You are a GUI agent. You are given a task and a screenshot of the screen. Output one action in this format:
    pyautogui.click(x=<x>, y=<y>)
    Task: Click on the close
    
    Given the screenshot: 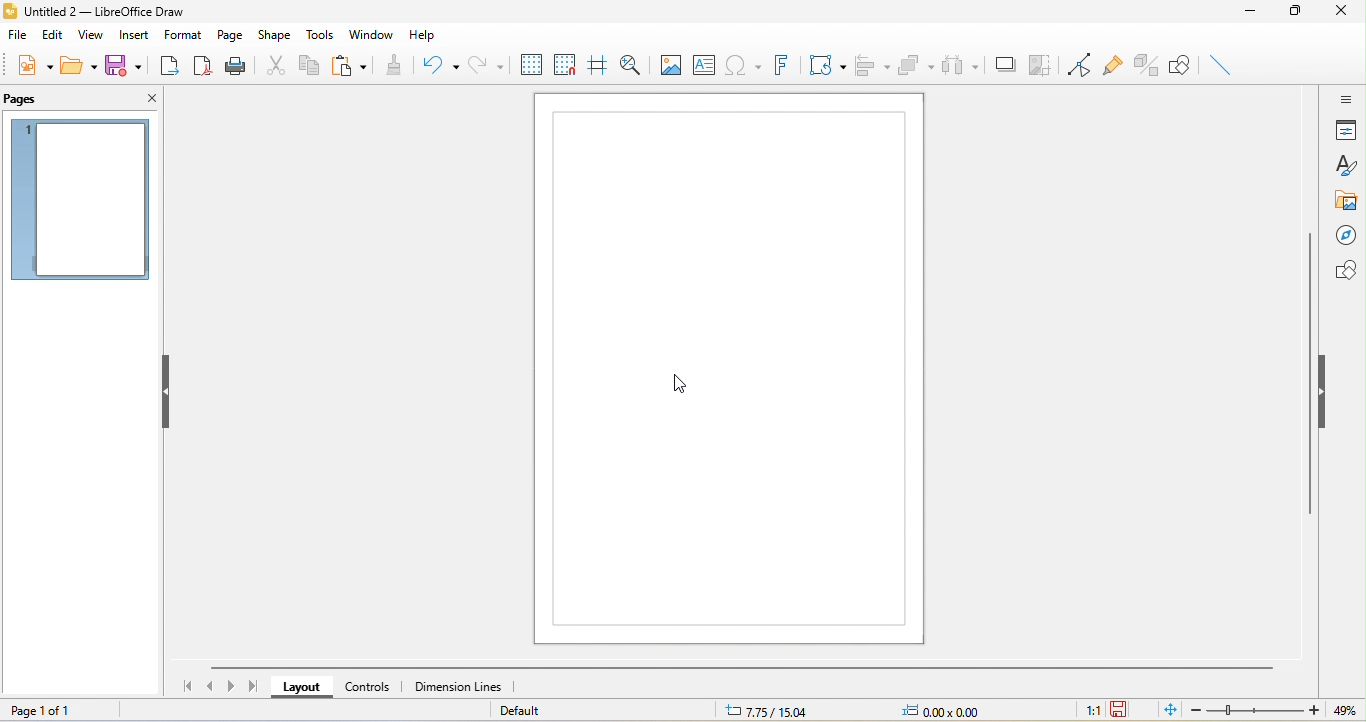 What is the action you would take?
    pyautogui.click(x=148, y=97)
    